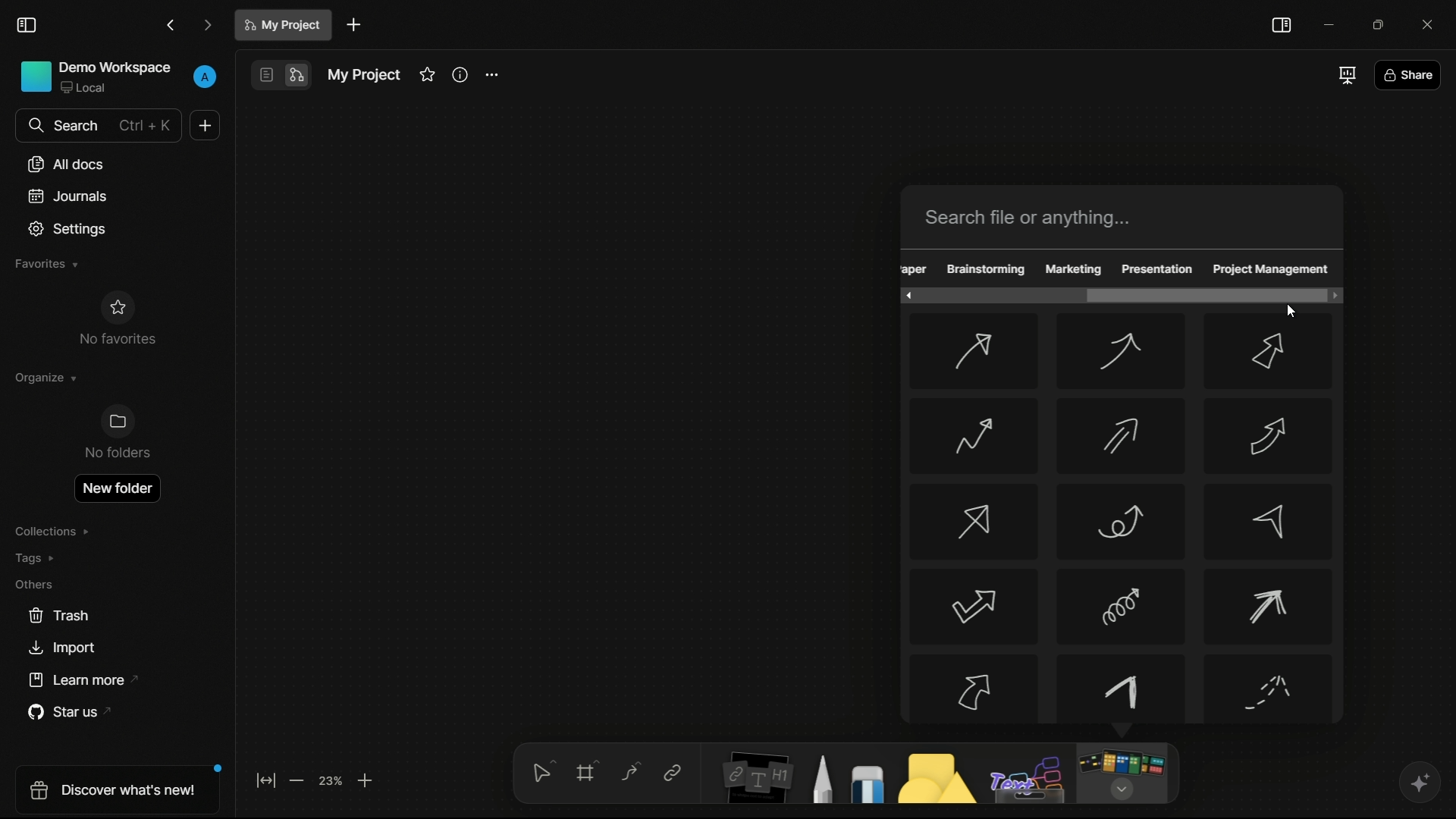 Image resolution: width=1456 pixels, height=819 pixels. I want to click on new folder, so click(116, 488).